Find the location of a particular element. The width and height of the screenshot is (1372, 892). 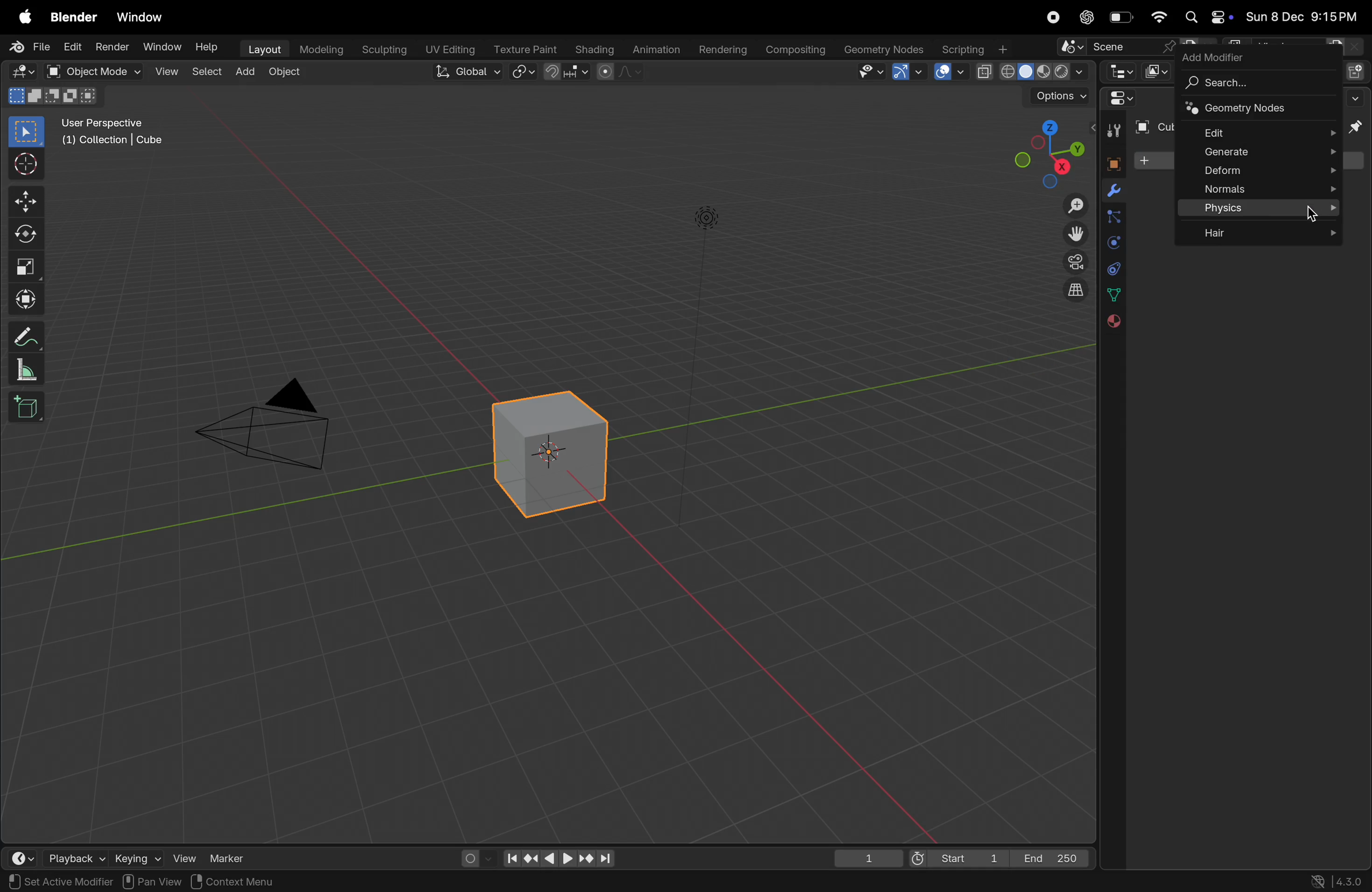

chatgpt is located at coordinates (1087, 17).